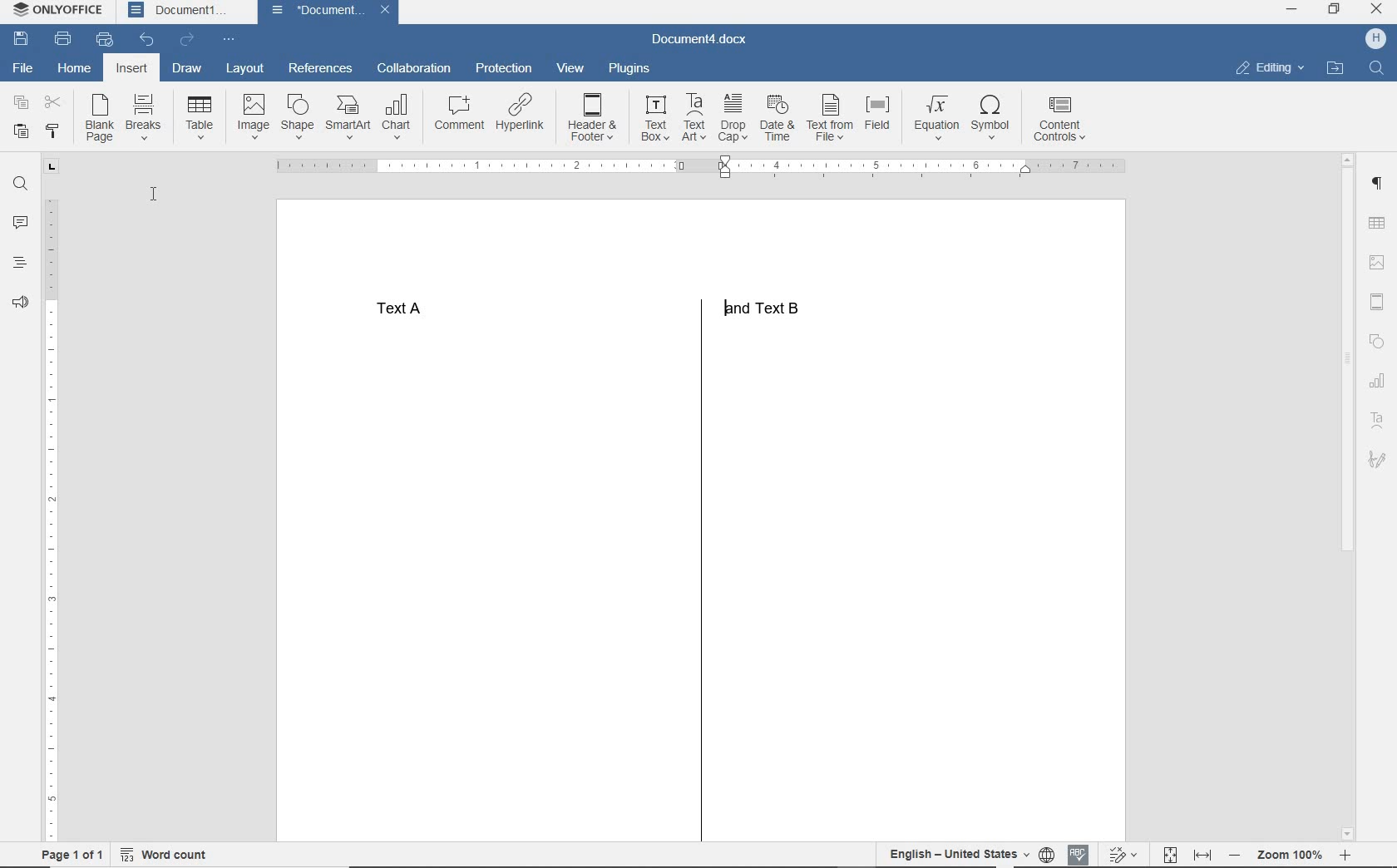 The width and height of the screenshot is (1397, 868). What do you see at coordinates (299, 117) in the screenshot?
I see `SHAPE` at bounding box center [299, 117].